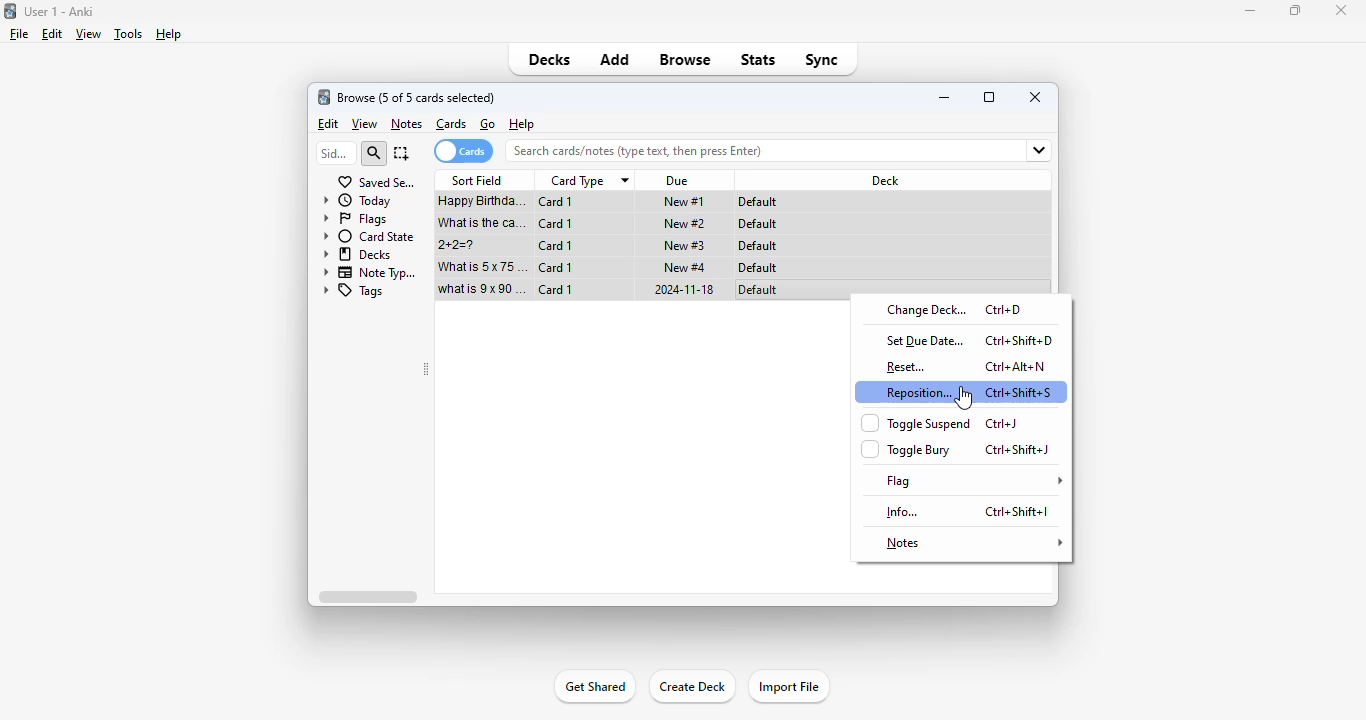 This screenshot has height=720, width=1366. What do you see at coordinates (356, 201) in the screenshot?
I see `today` at bounding box center [356, 201].